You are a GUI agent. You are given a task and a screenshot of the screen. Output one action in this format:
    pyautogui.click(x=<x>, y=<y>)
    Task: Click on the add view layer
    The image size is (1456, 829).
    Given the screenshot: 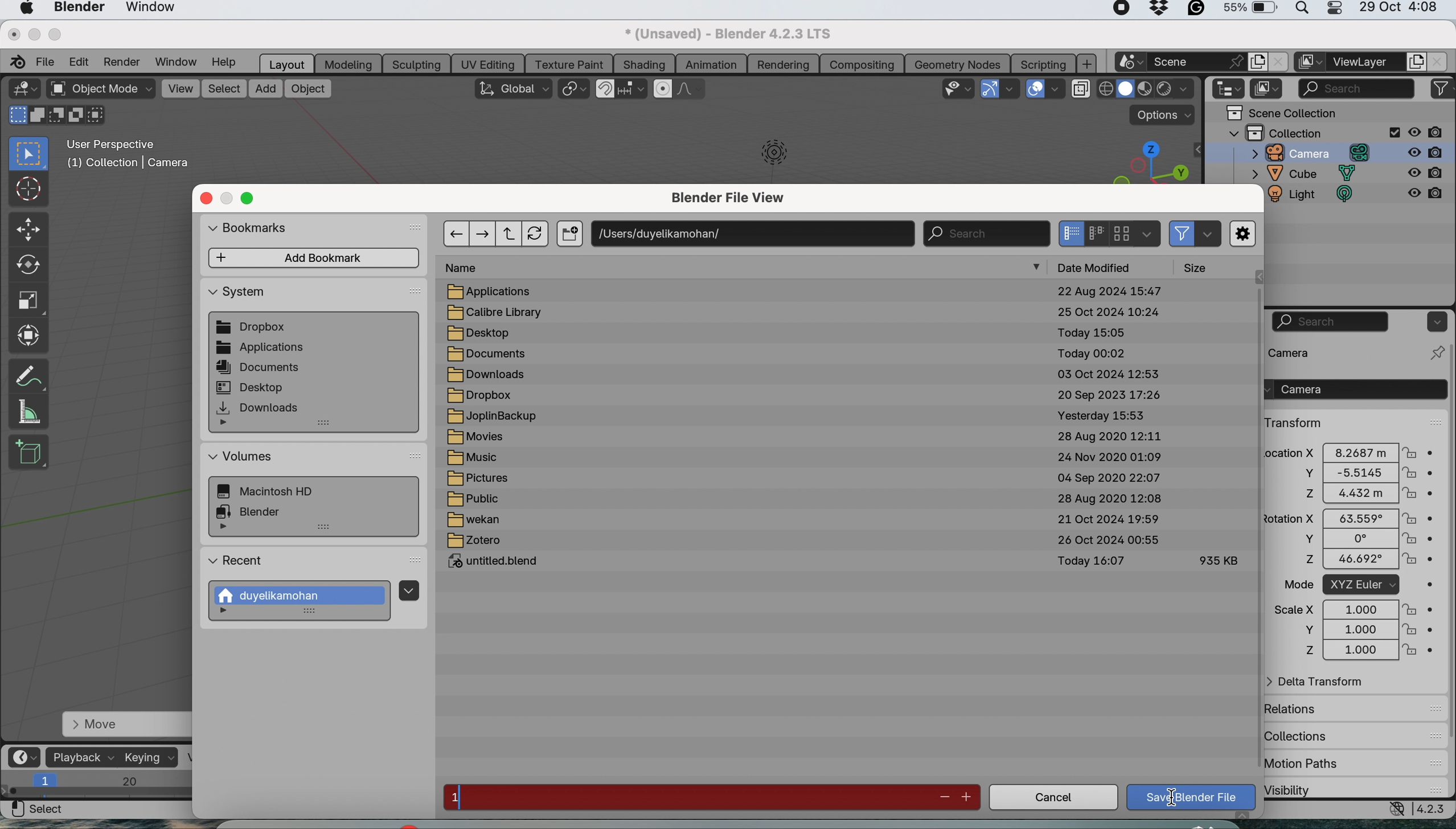 What is the action you would take?
    pyautogui.click(x=1414, y=63)
    